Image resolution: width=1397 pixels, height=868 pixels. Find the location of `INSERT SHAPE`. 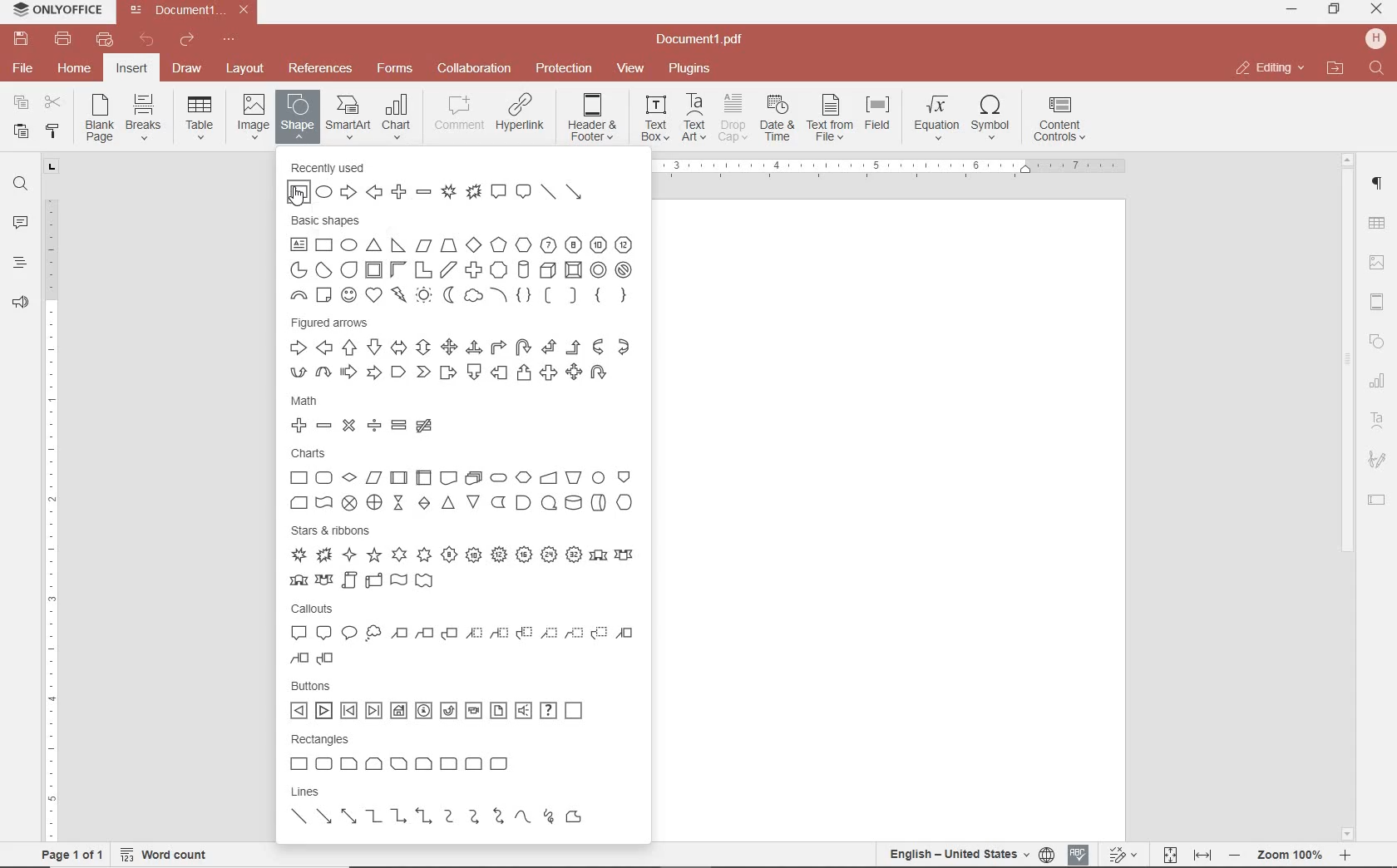

INSERT SHAPE is located at coordinates (296, 116).